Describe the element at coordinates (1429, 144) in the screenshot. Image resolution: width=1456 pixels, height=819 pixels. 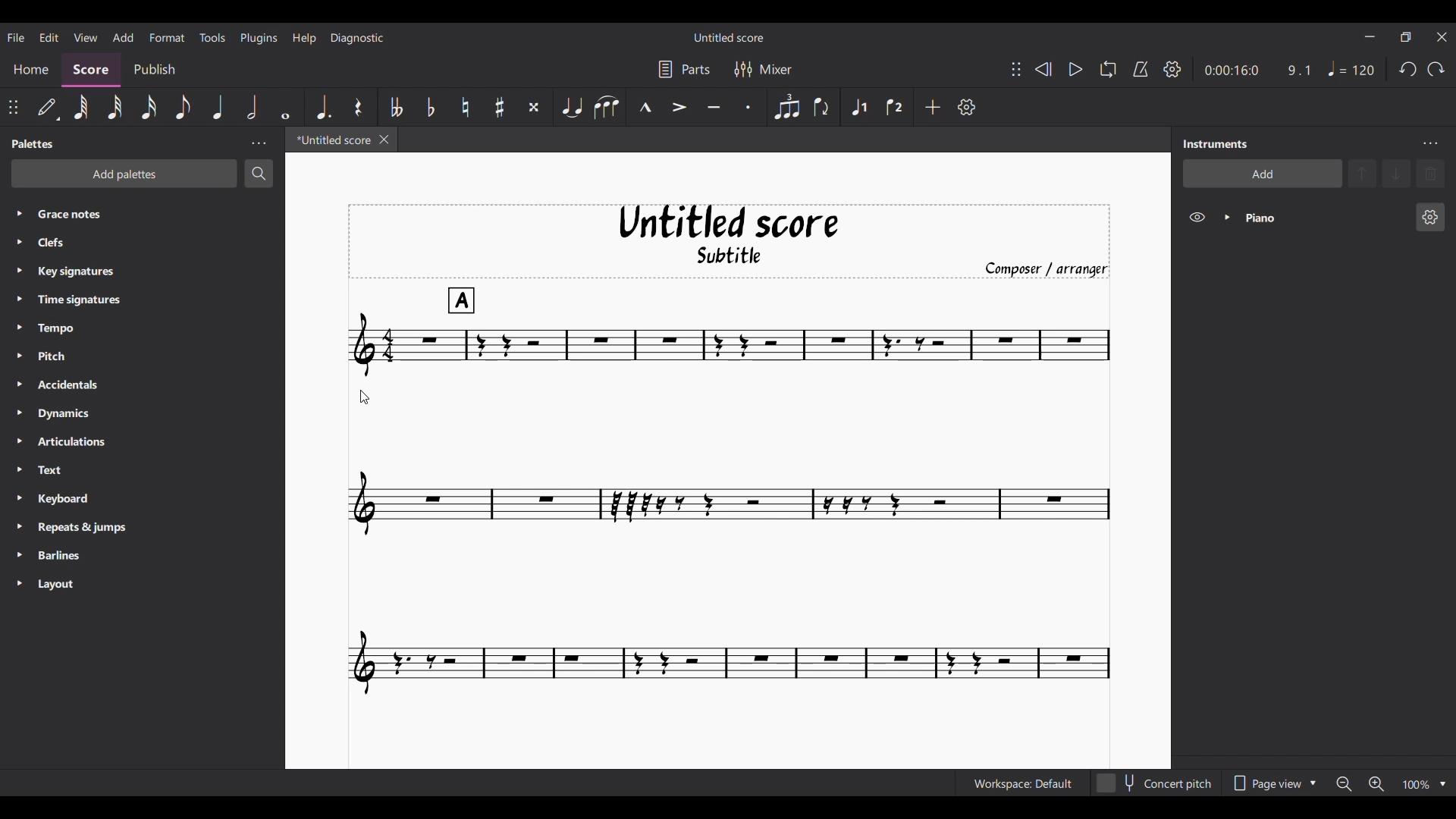
I see `Instrument settings` at that location.